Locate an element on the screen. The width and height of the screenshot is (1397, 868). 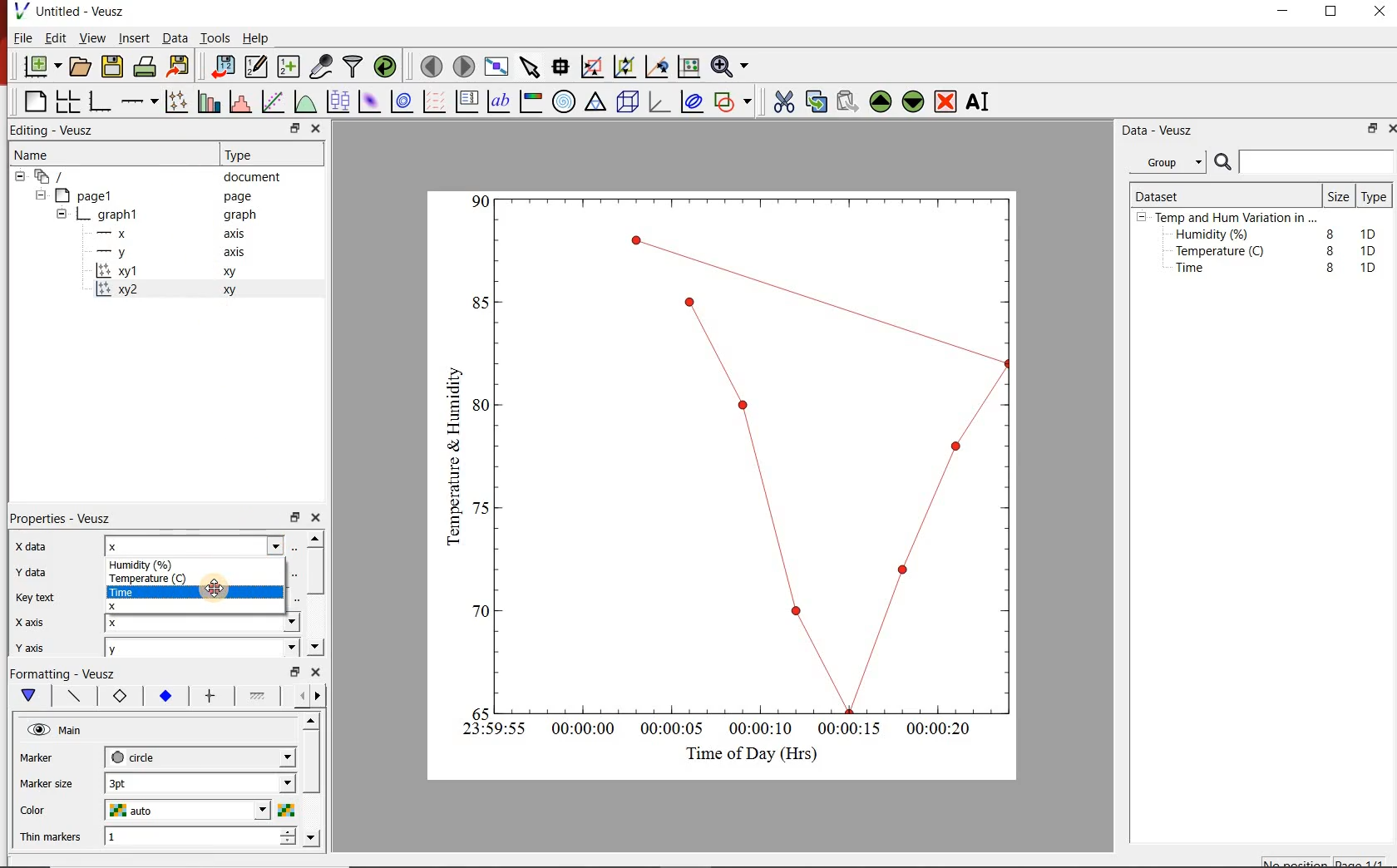
click to reset graph axes is located at coordinates (686, 67).